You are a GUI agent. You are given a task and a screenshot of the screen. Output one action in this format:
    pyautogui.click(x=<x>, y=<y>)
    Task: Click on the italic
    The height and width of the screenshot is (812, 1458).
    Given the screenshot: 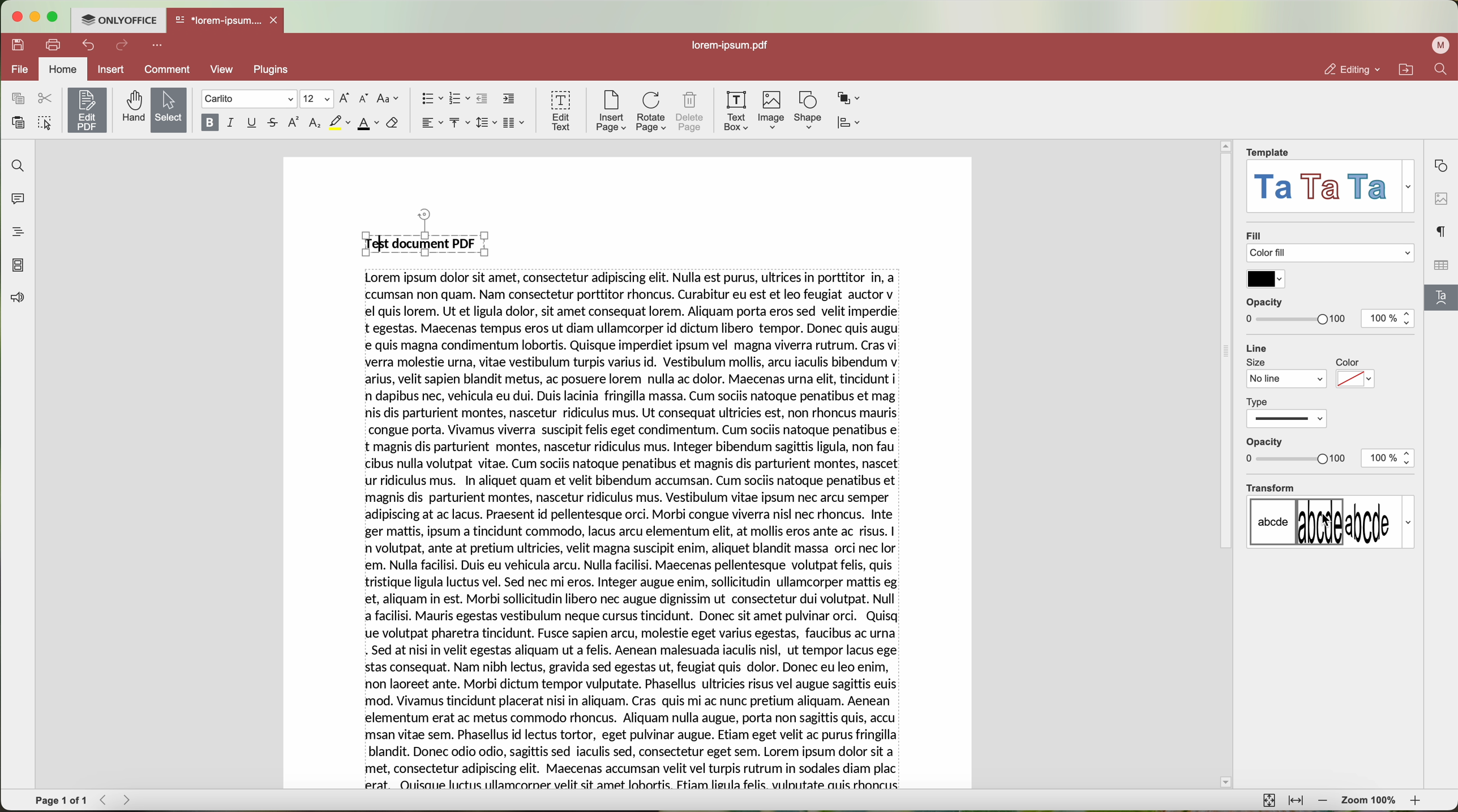 What is the action you would take?
    pyautogui.click(x=232, y=123)
    